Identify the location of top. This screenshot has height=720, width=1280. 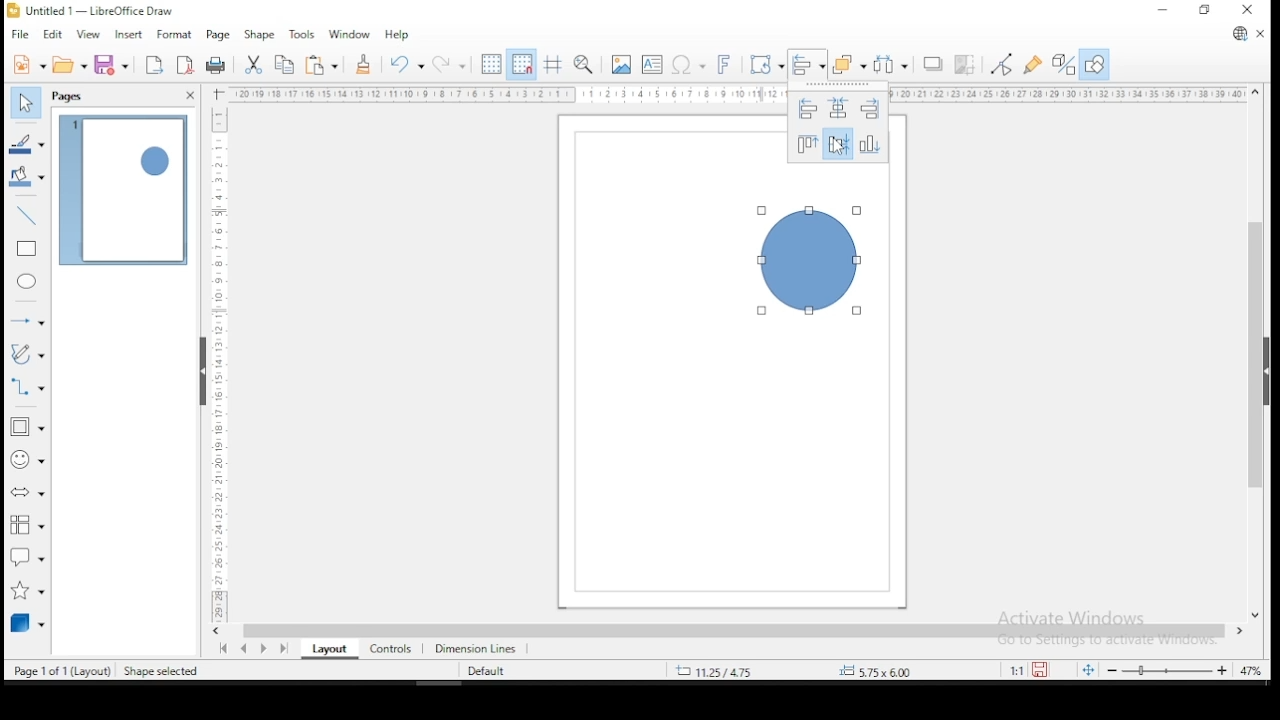
(806, 144).